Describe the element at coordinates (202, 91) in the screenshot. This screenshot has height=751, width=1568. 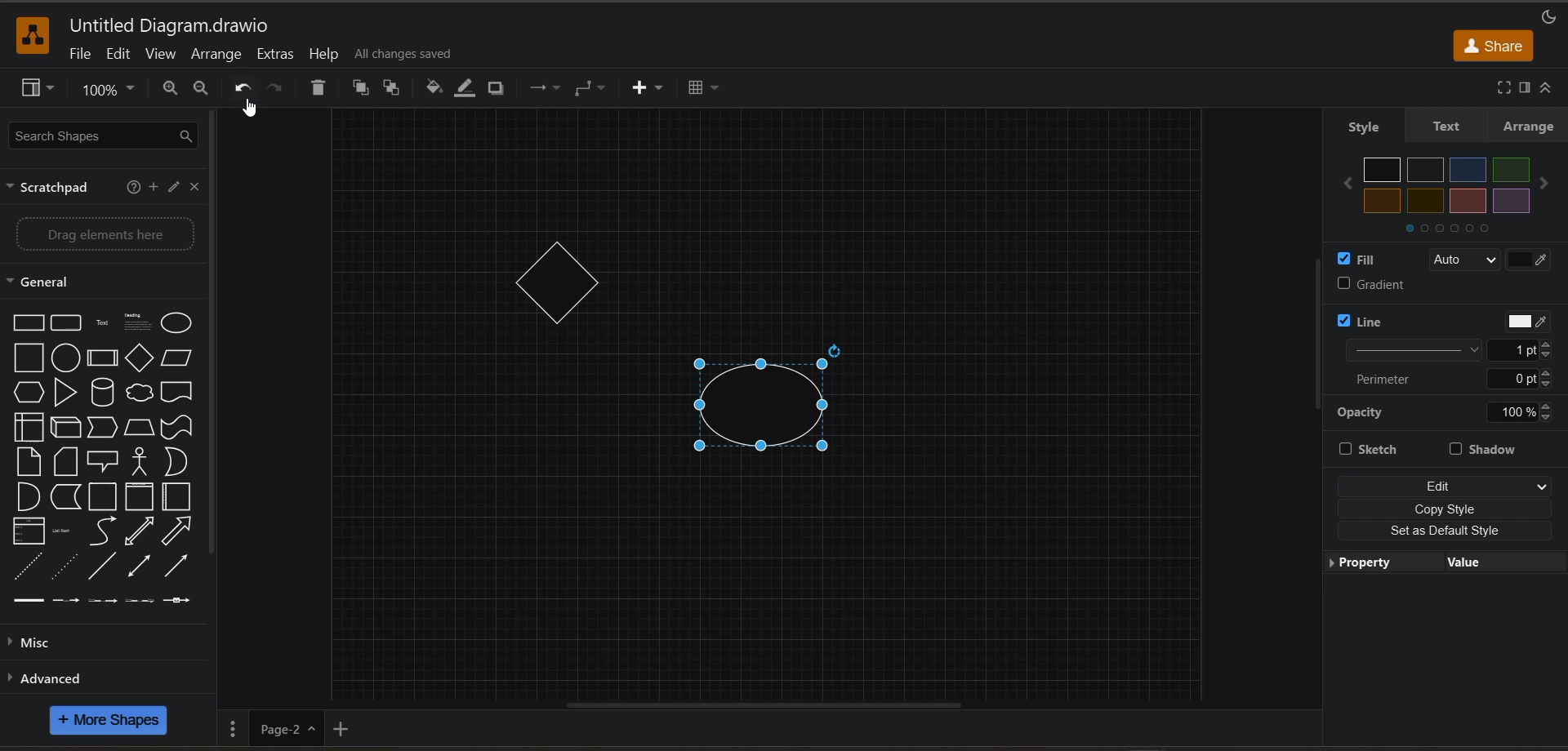
I see `zoom out` at that location.